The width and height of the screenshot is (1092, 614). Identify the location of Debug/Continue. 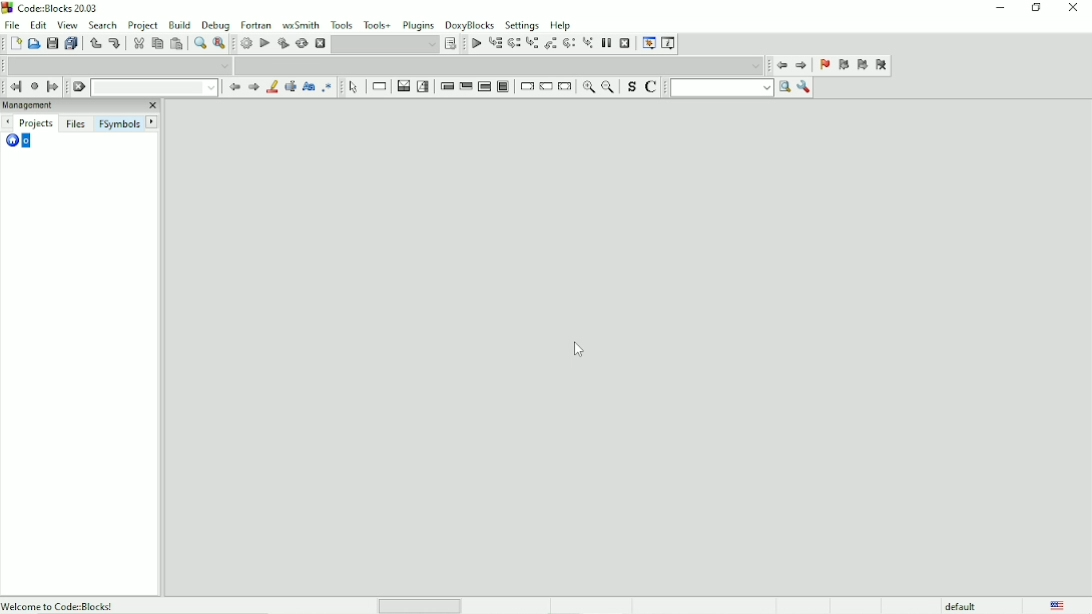
(474, 44).